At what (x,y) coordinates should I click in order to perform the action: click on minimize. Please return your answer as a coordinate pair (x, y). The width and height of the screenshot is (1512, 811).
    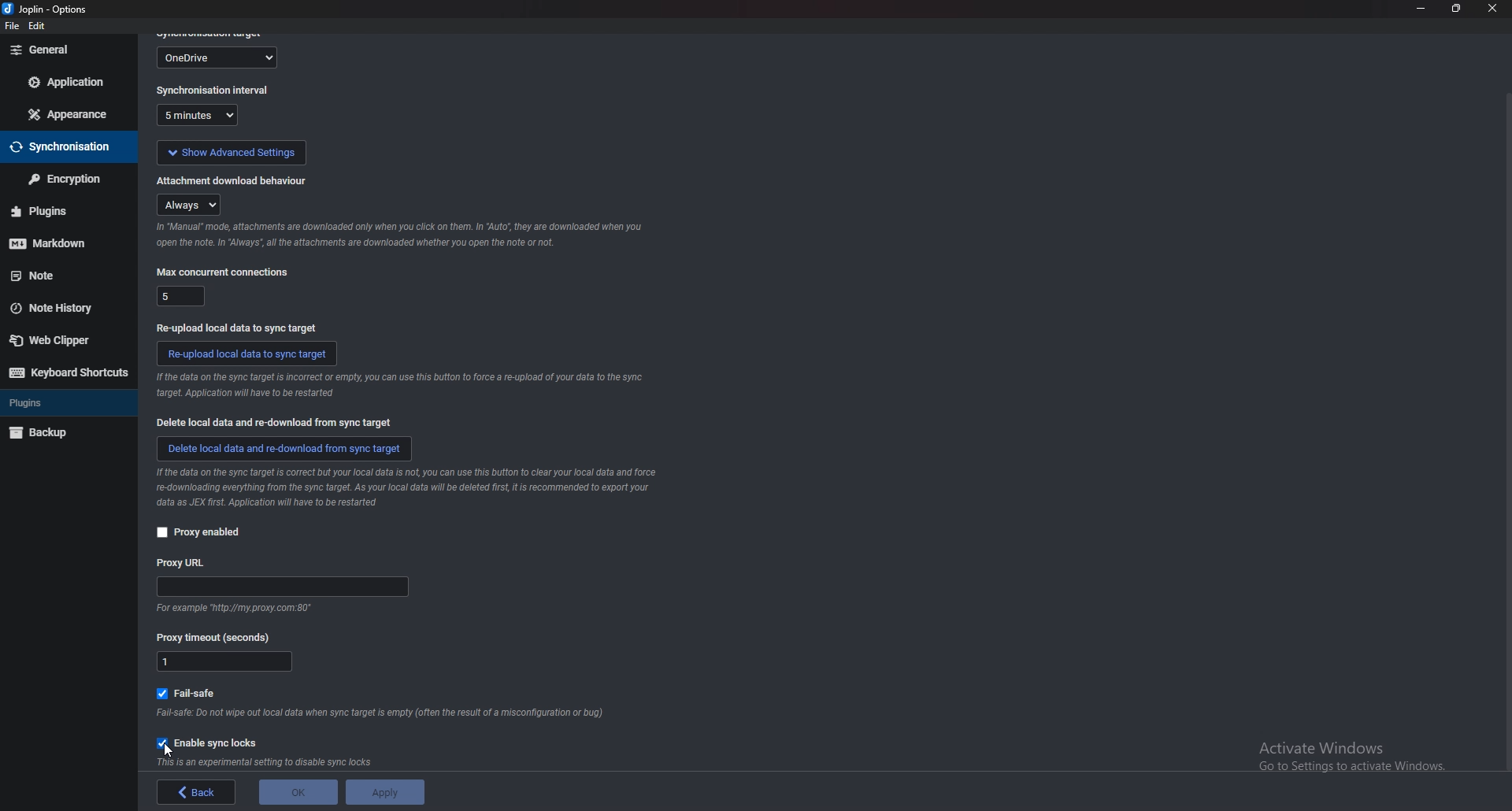
    Looking at the image, I should click on (1420, 9).